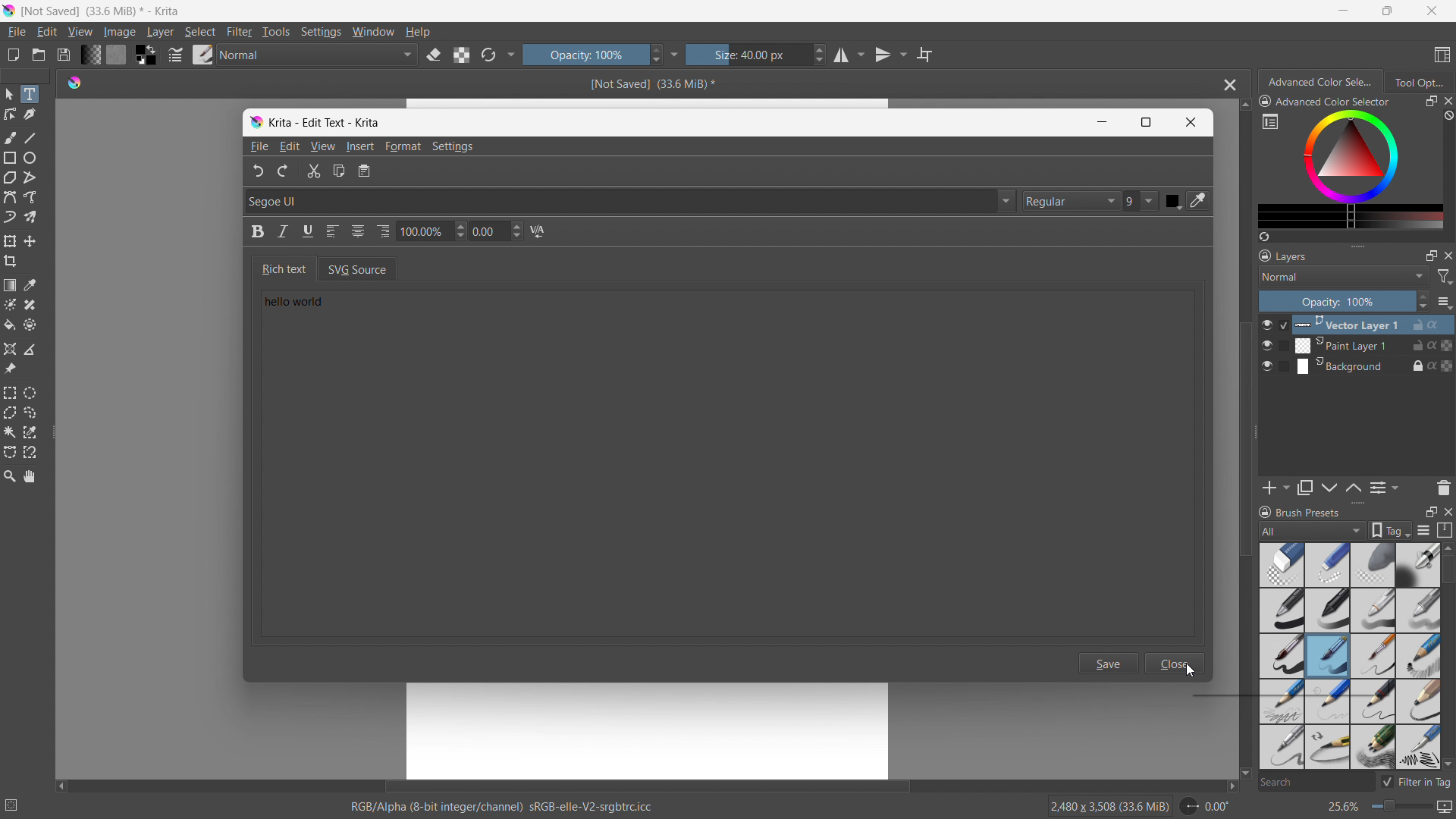 The width and height of the screenshot is (1456, 819). What do you see at coordinates (30, 305) in the screenshot?
I see `smart patch tool` at bounding box center [30, 305].